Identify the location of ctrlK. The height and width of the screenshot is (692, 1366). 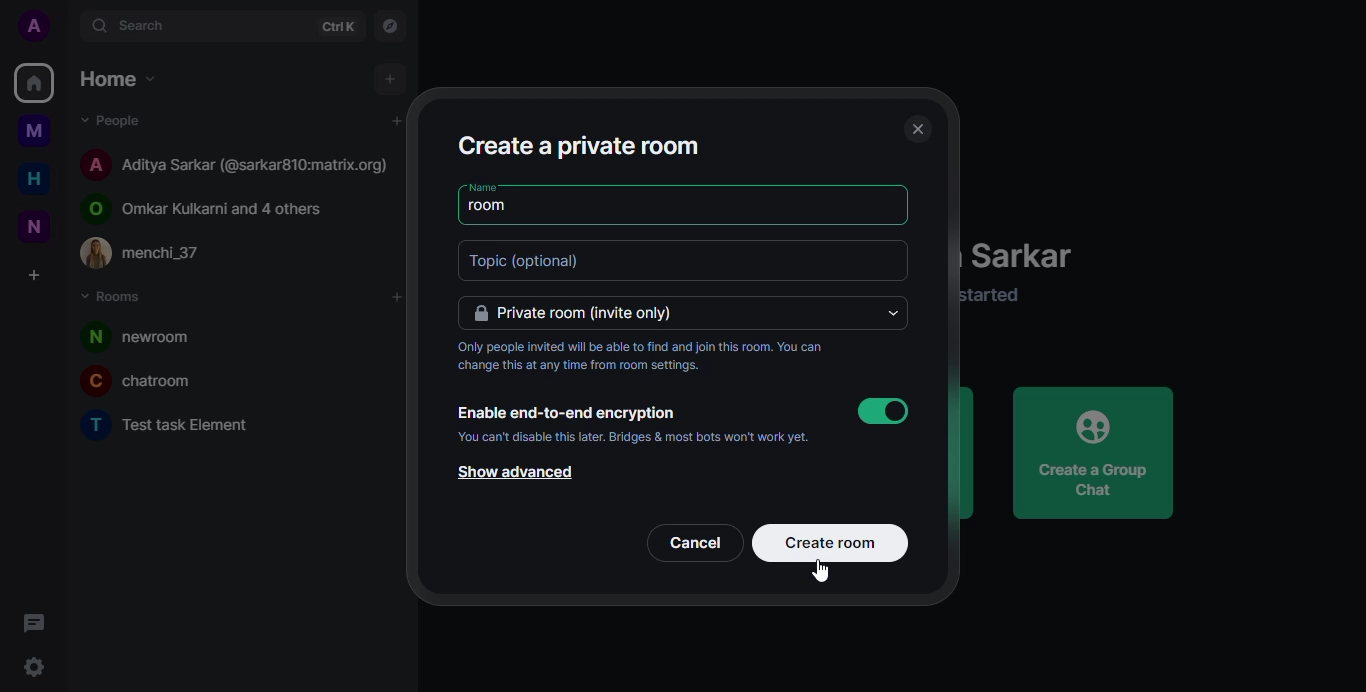
(337, 27).